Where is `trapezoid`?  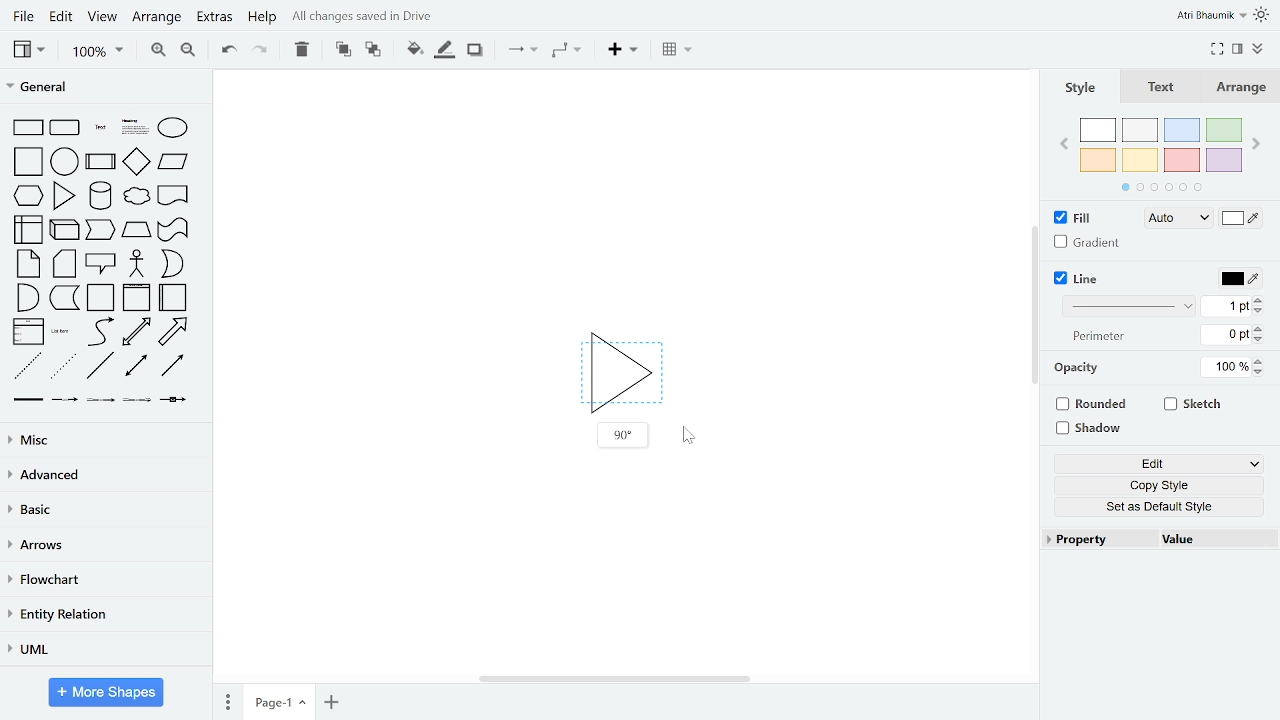 trapezoid is located at coordinates (136, 232).